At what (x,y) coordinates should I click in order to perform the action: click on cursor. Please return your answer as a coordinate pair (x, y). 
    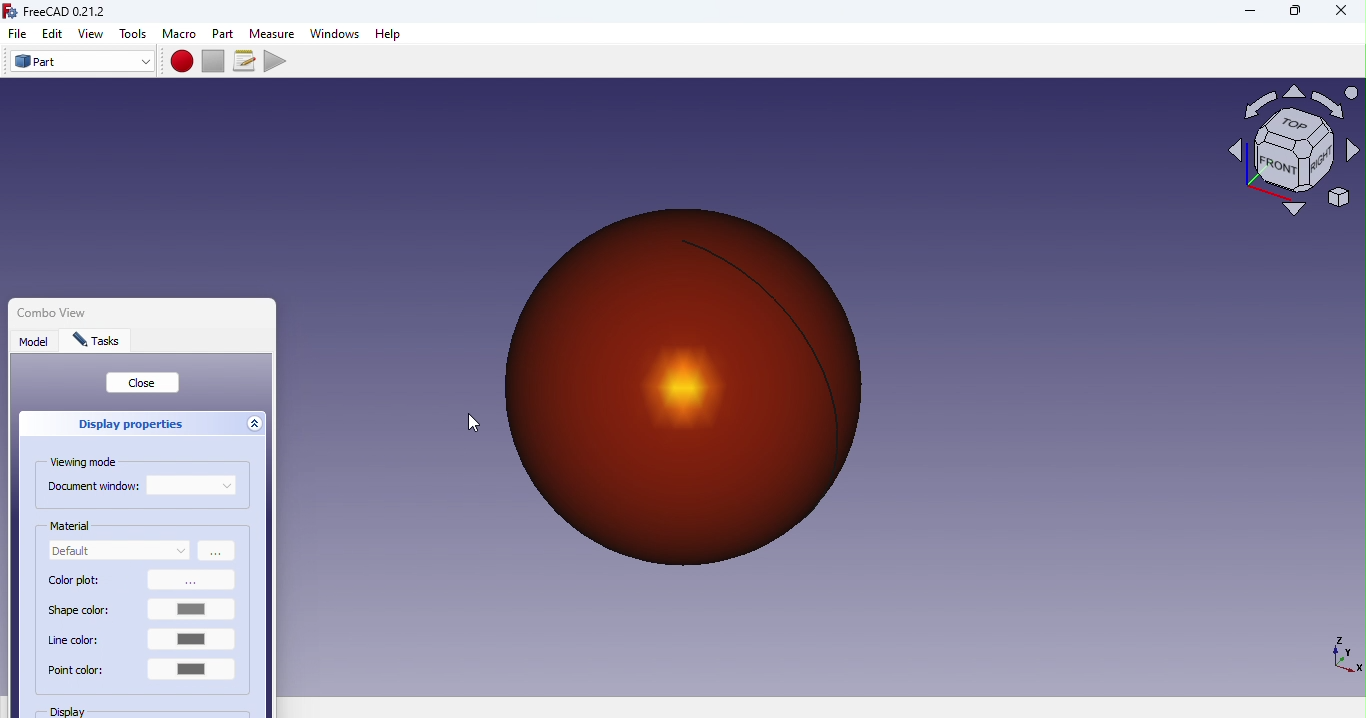
    Looking at the image, I should click on (472, 422).